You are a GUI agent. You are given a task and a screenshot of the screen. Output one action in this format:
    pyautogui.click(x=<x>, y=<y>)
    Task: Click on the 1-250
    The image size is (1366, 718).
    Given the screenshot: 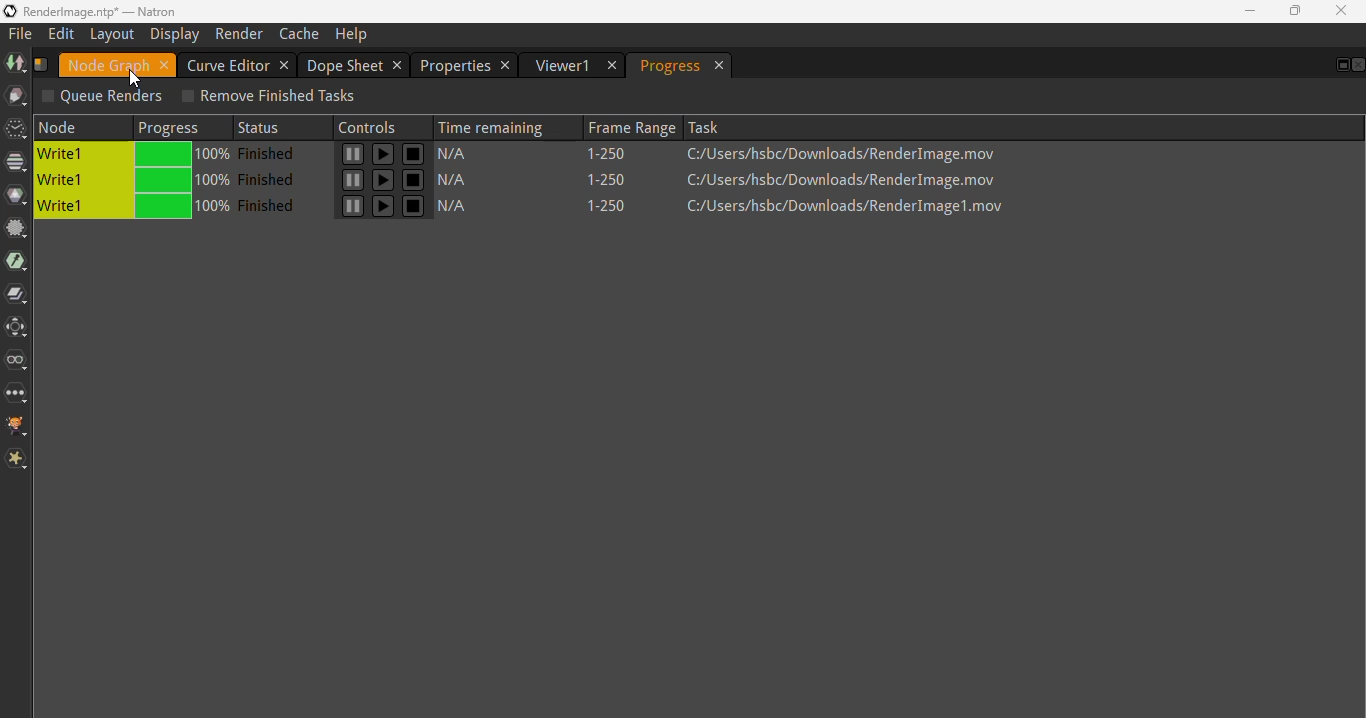 What is the action you would take?
    pyautogui.click(x=614, y=180)
    